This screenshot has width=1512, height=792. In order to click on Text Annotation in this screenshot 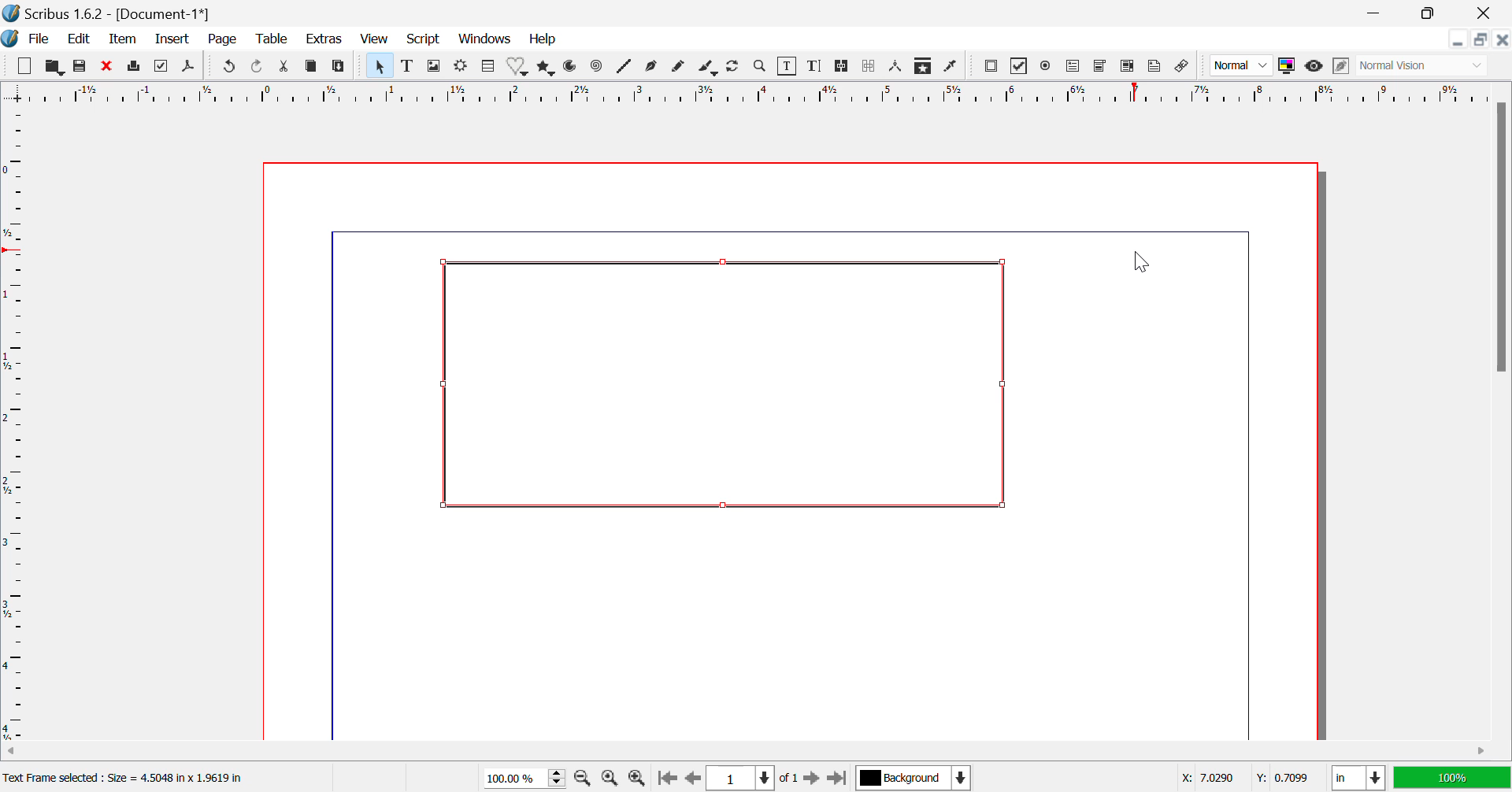, I will do `click(1156, 67)`.